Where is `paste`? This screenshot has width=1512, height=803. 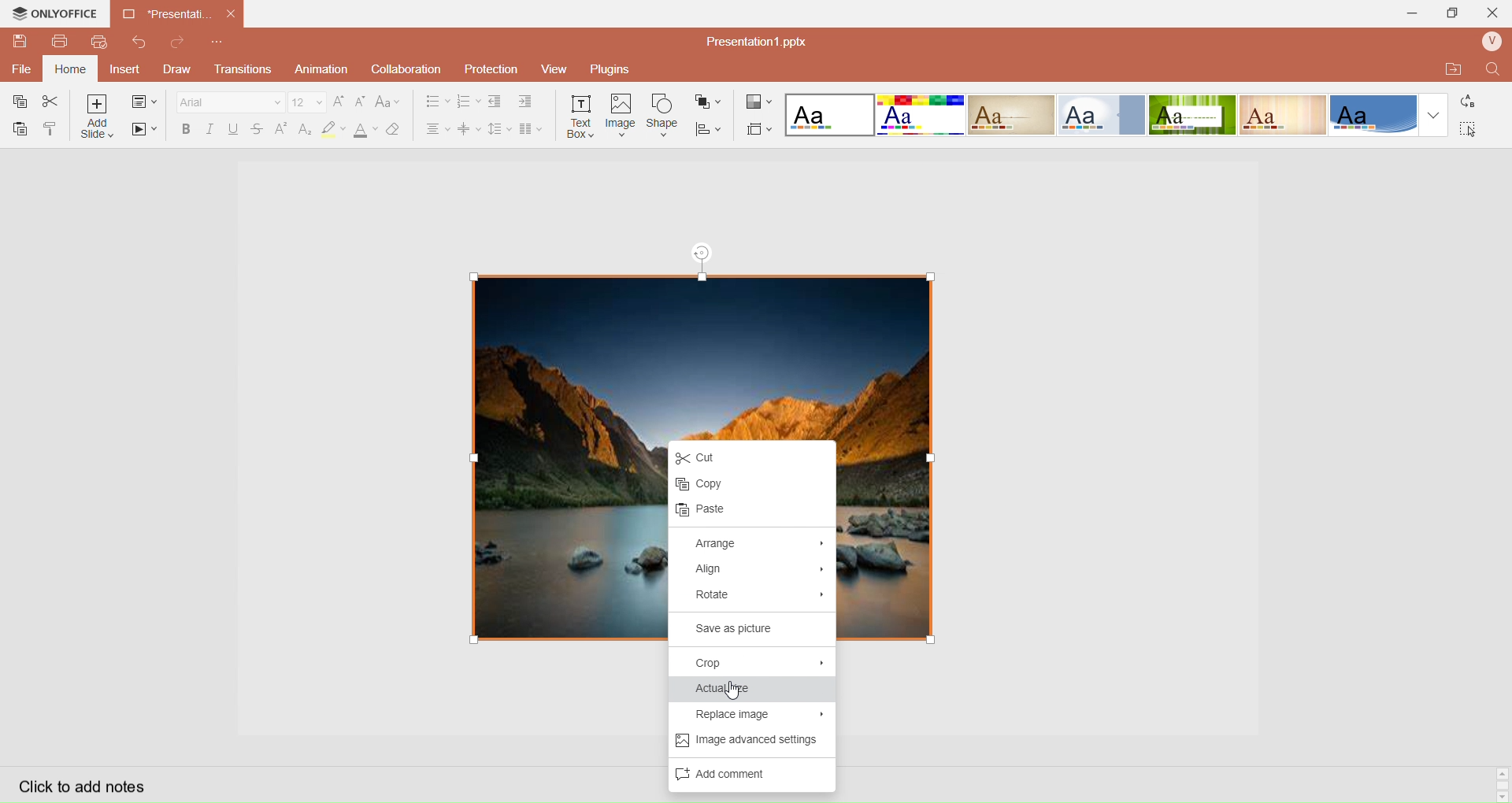
paste is located at coordinates (752, 510).